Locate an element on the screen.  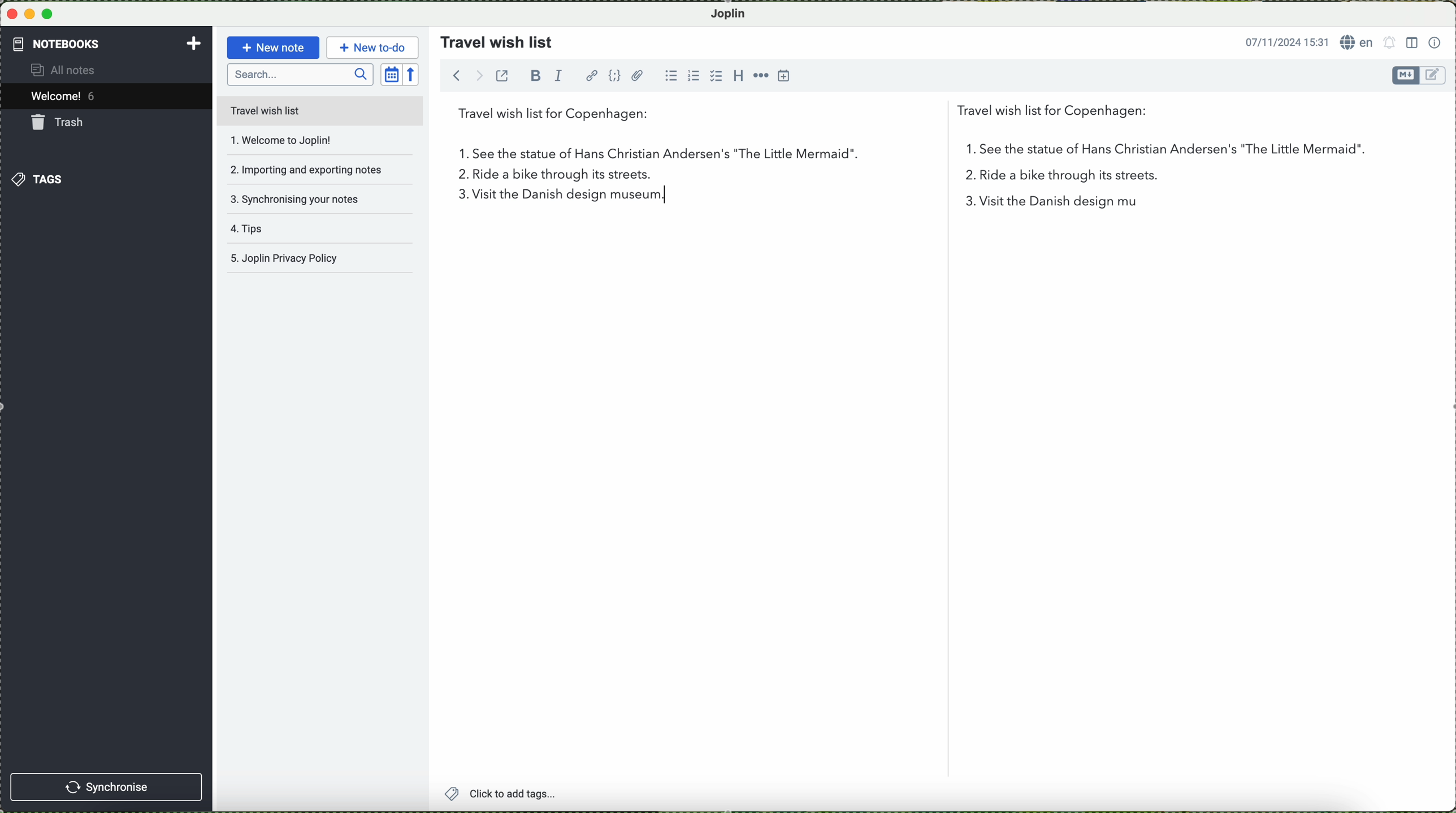
travel wish list for Copenhagen: is located at coordinates (809, 116).